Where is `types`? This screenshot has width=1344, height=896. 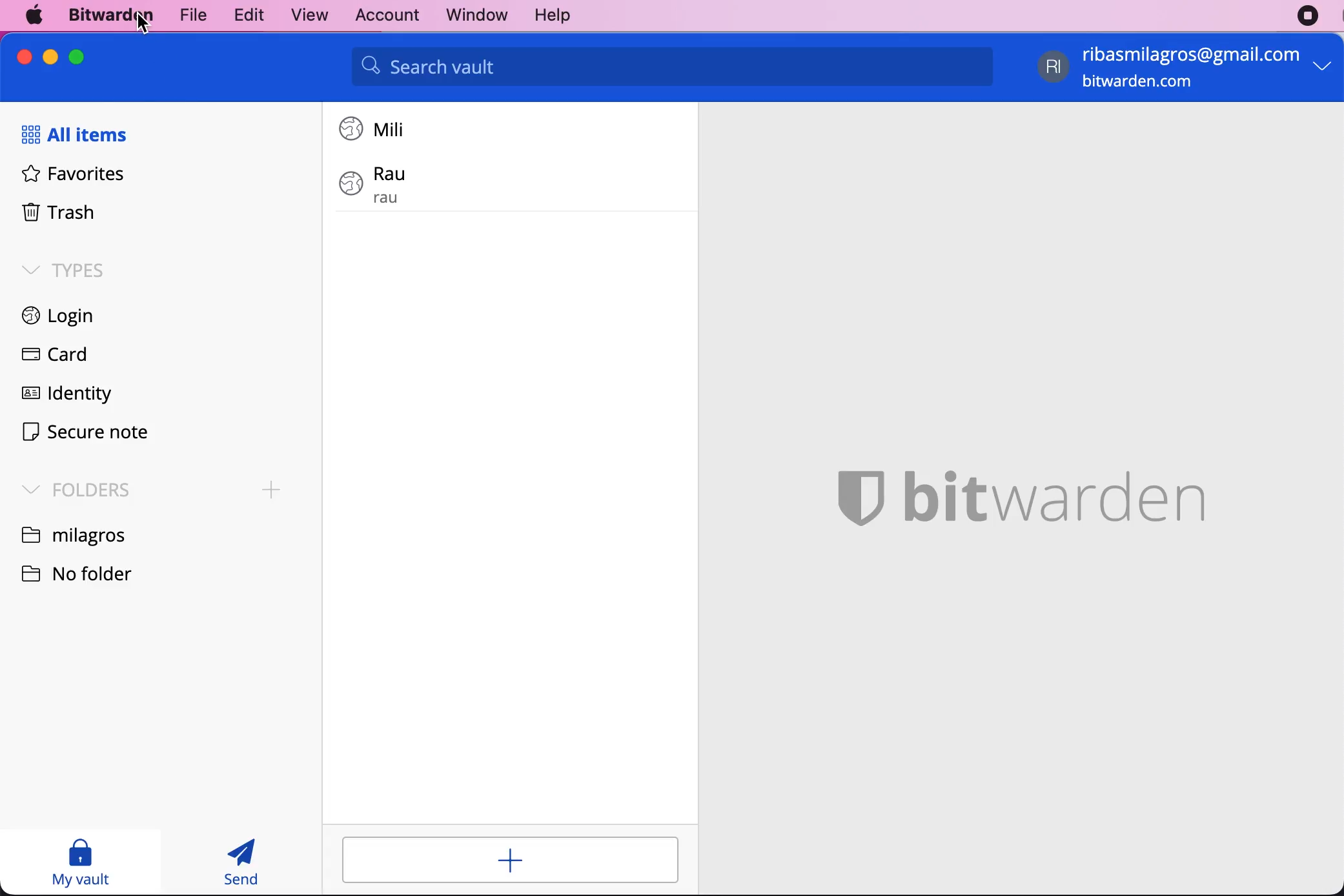 types is located at coordinates (63, 269).